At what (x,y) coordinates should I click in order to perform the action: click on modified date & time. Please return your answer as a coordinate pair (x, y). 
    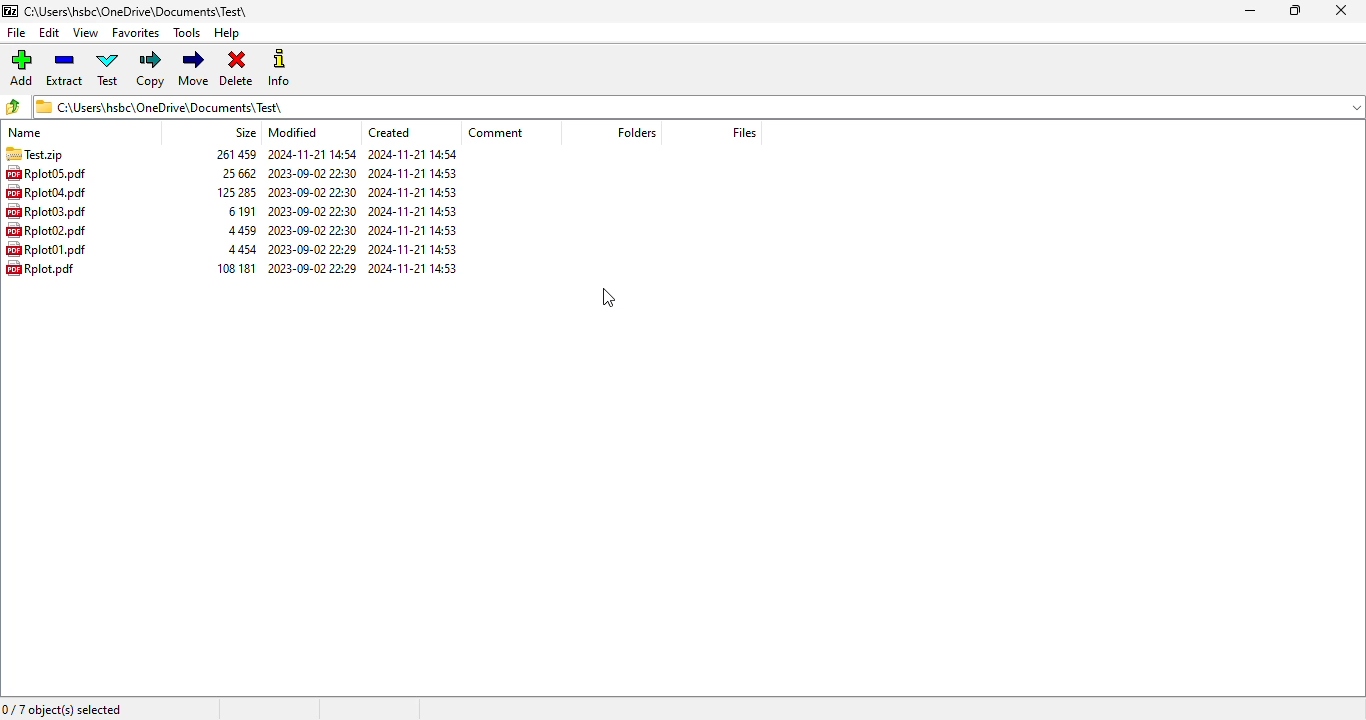
    Looking at the image, I should click on (312, 192).